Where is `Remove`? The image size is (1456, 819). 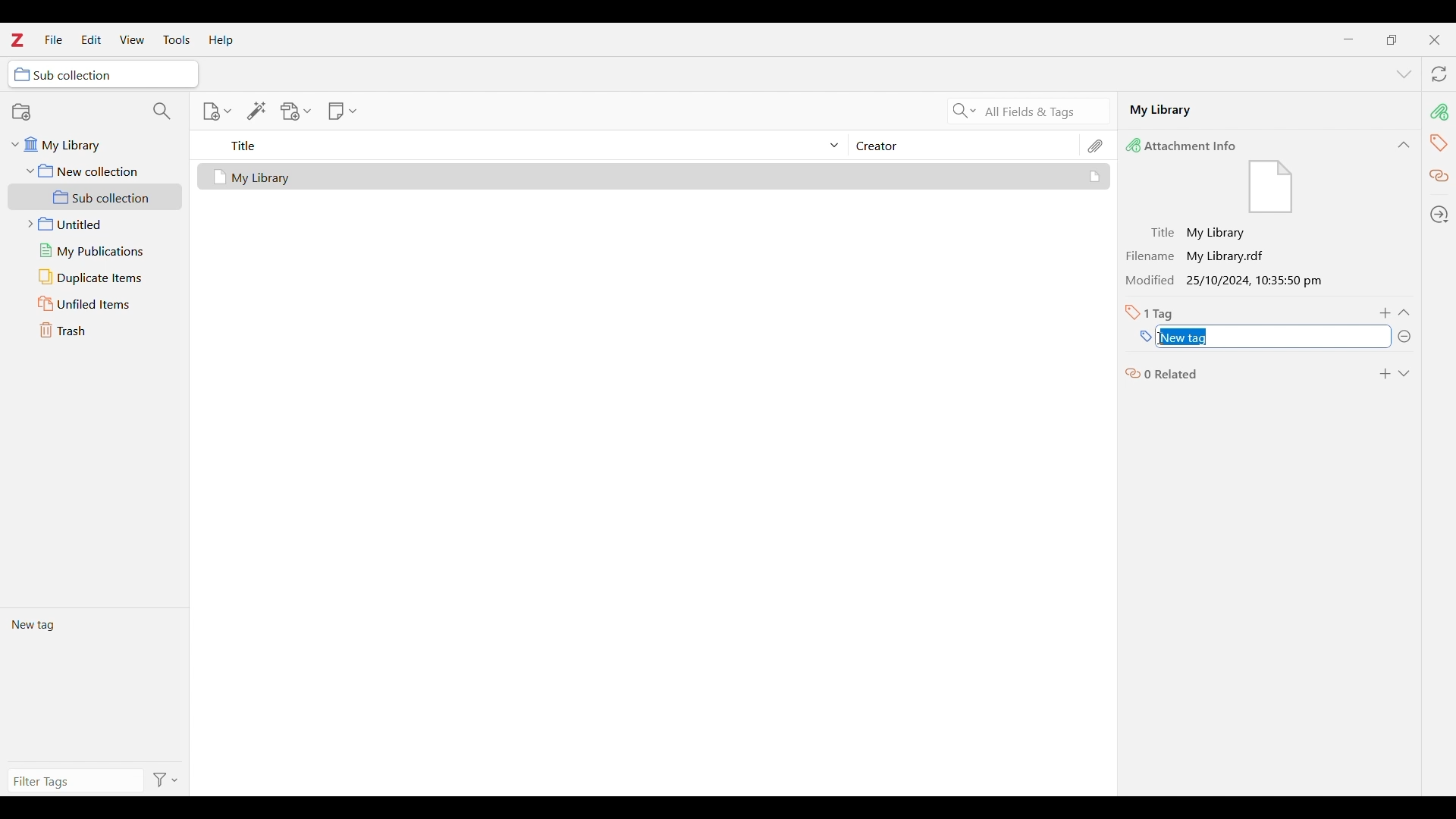 Remove is located at coordinates (1404, 337).